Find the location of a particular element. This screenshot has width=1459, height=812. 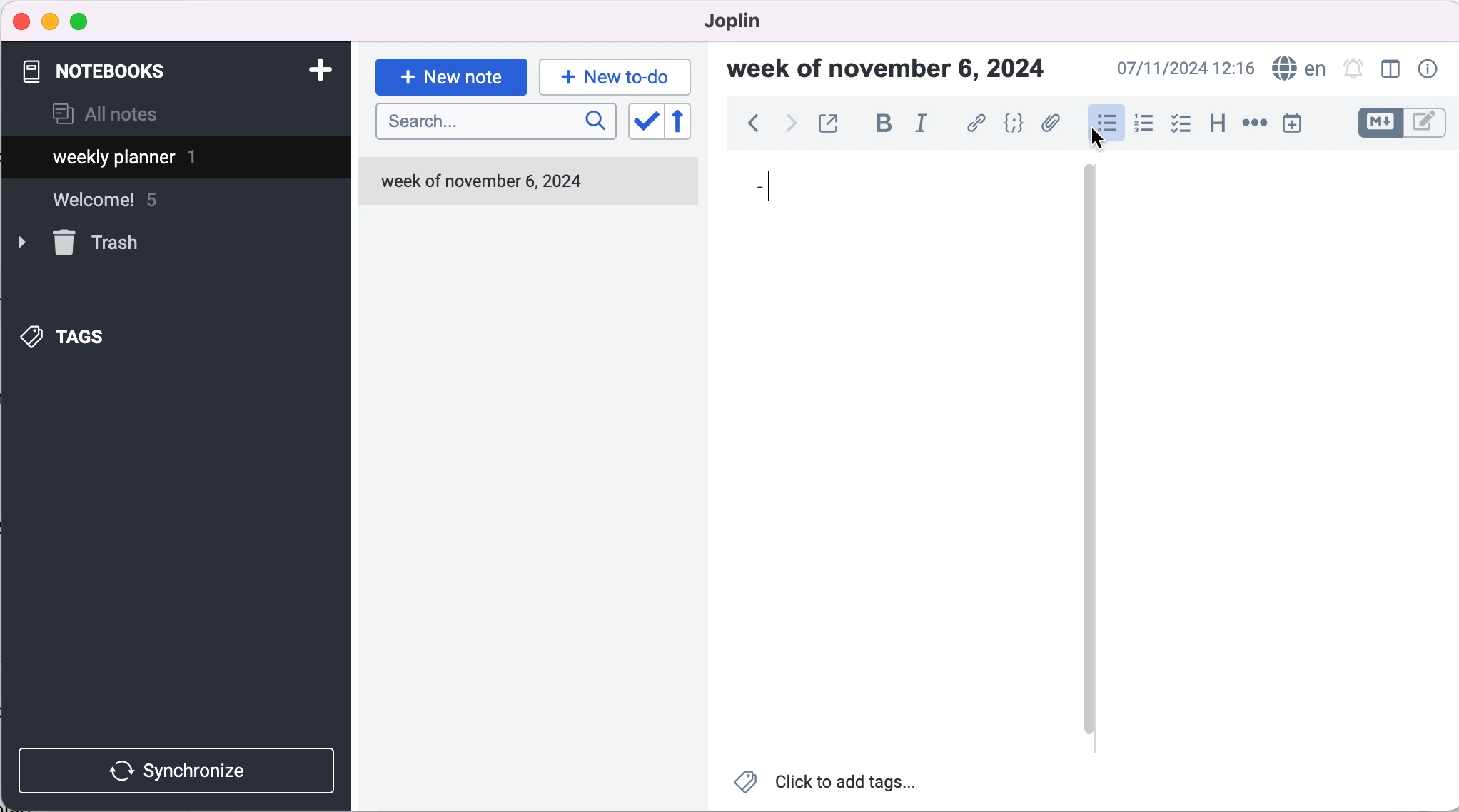

hyperlink is located at coordinates (977, 126).